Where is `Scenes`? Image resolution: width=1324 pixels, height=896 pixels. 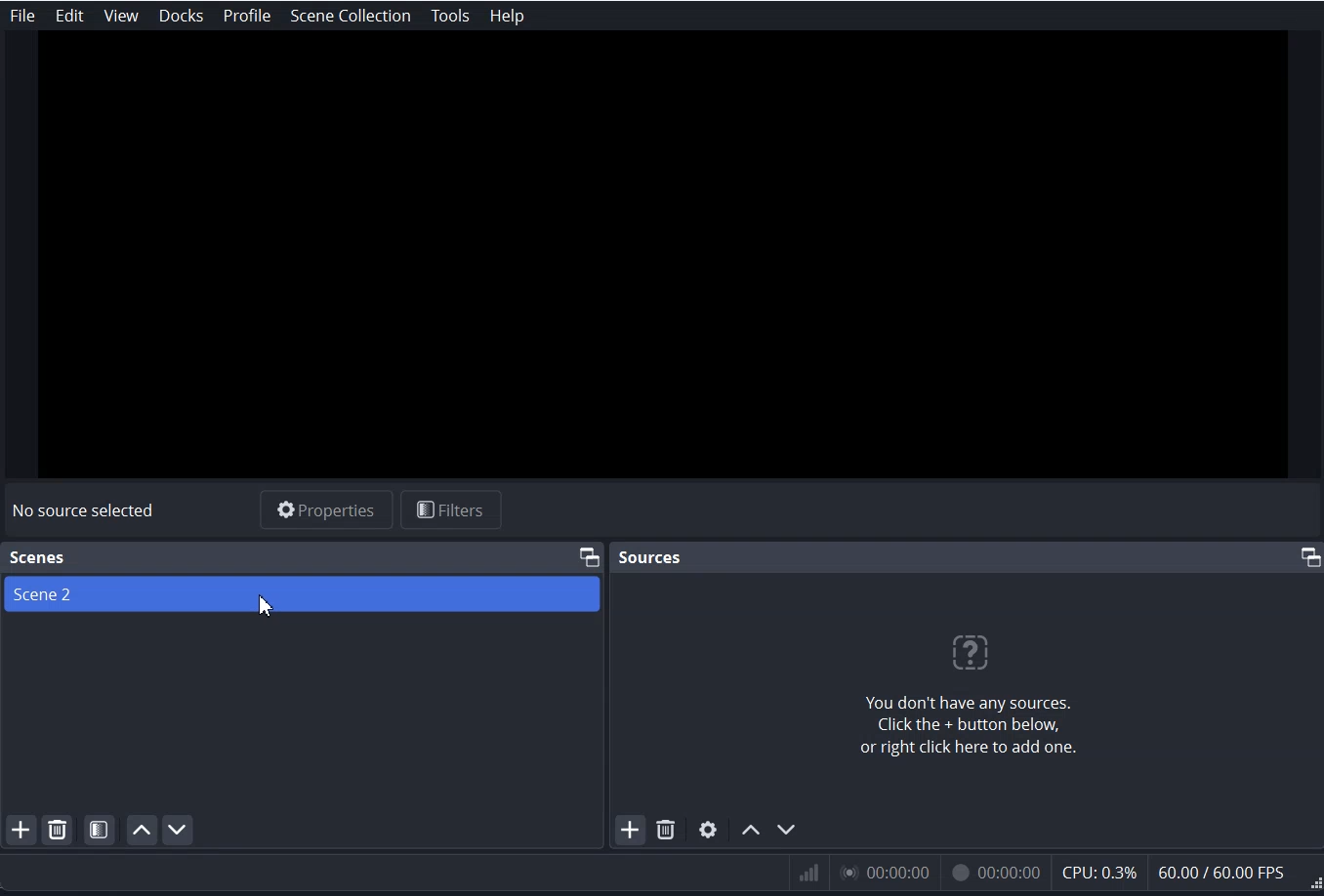 Scenes is located at coordinates (38, 557).